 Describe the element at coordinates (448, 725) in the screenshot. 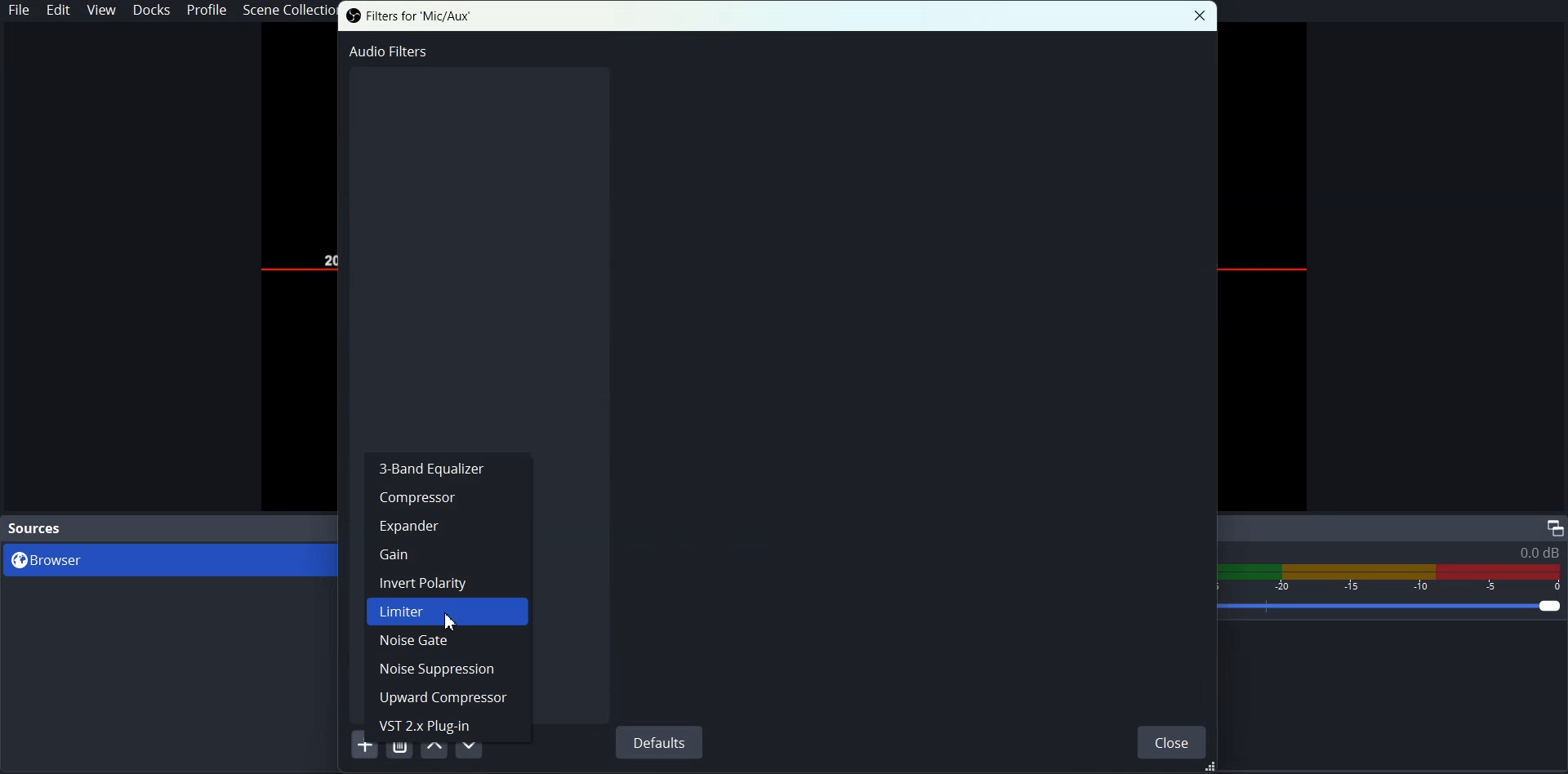

I see `VST 2.x Plug-in` at that location.